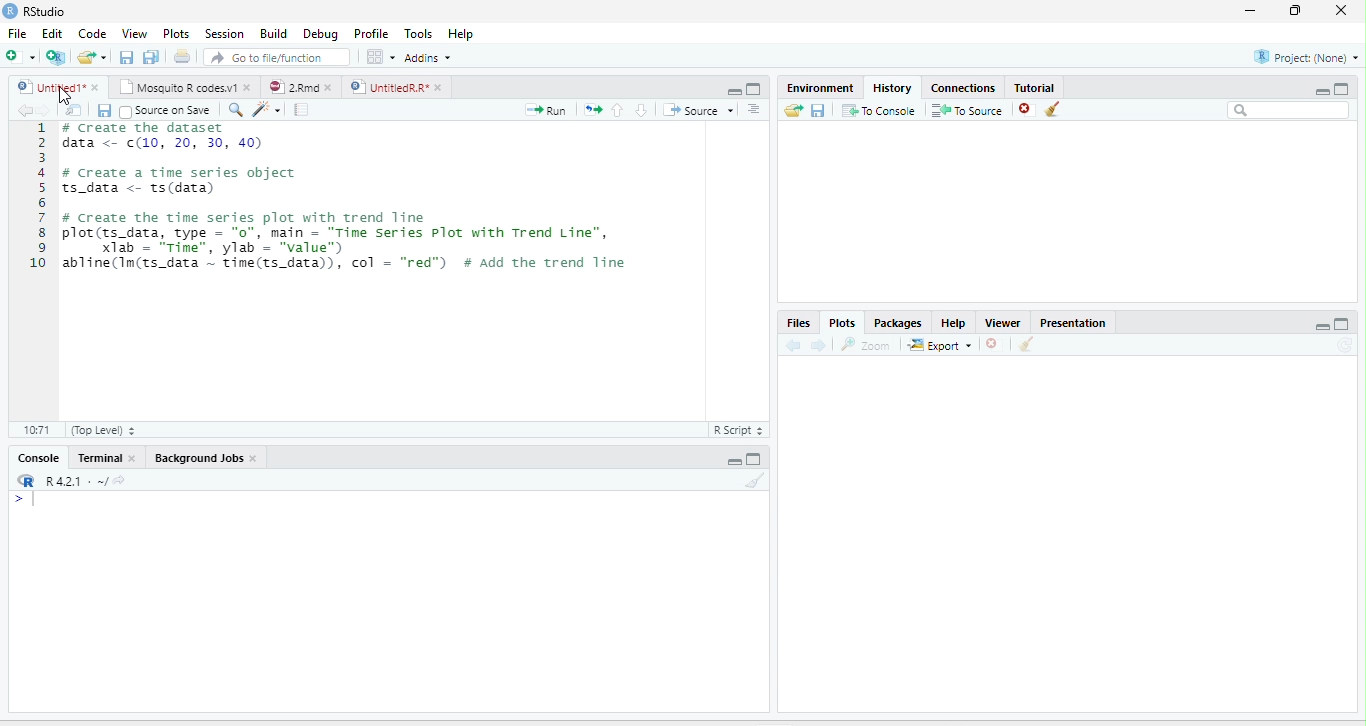  Describe the element at coordinates (95, 87) in the screenshot. I see `close` at that location.